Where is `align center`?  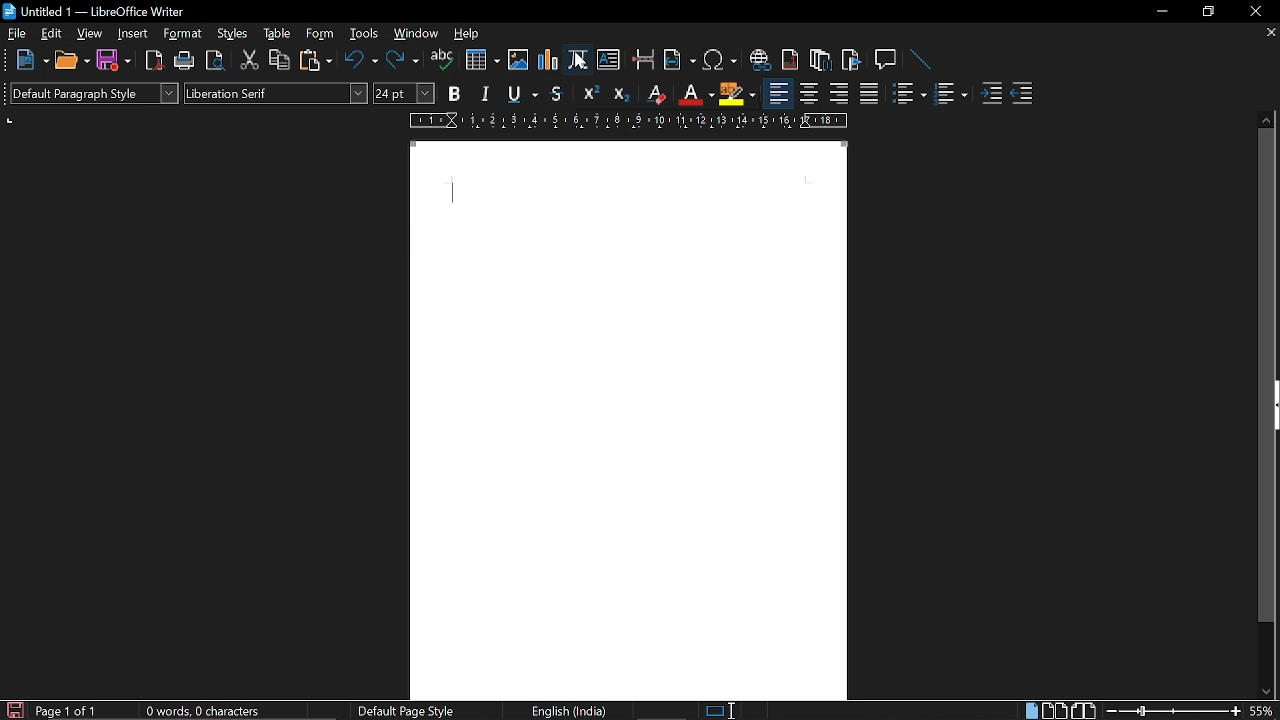 align center is located at coordinates (809, 94).